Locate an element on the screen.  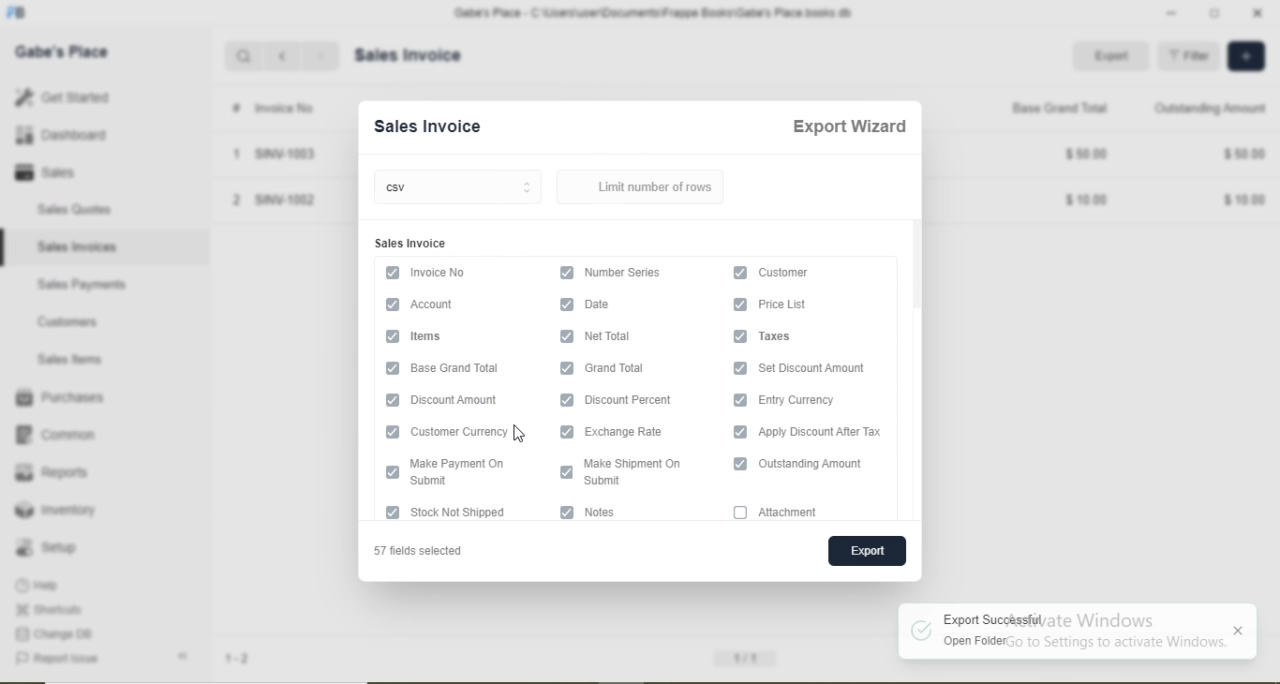
logo is located at coordinates (25, 13).